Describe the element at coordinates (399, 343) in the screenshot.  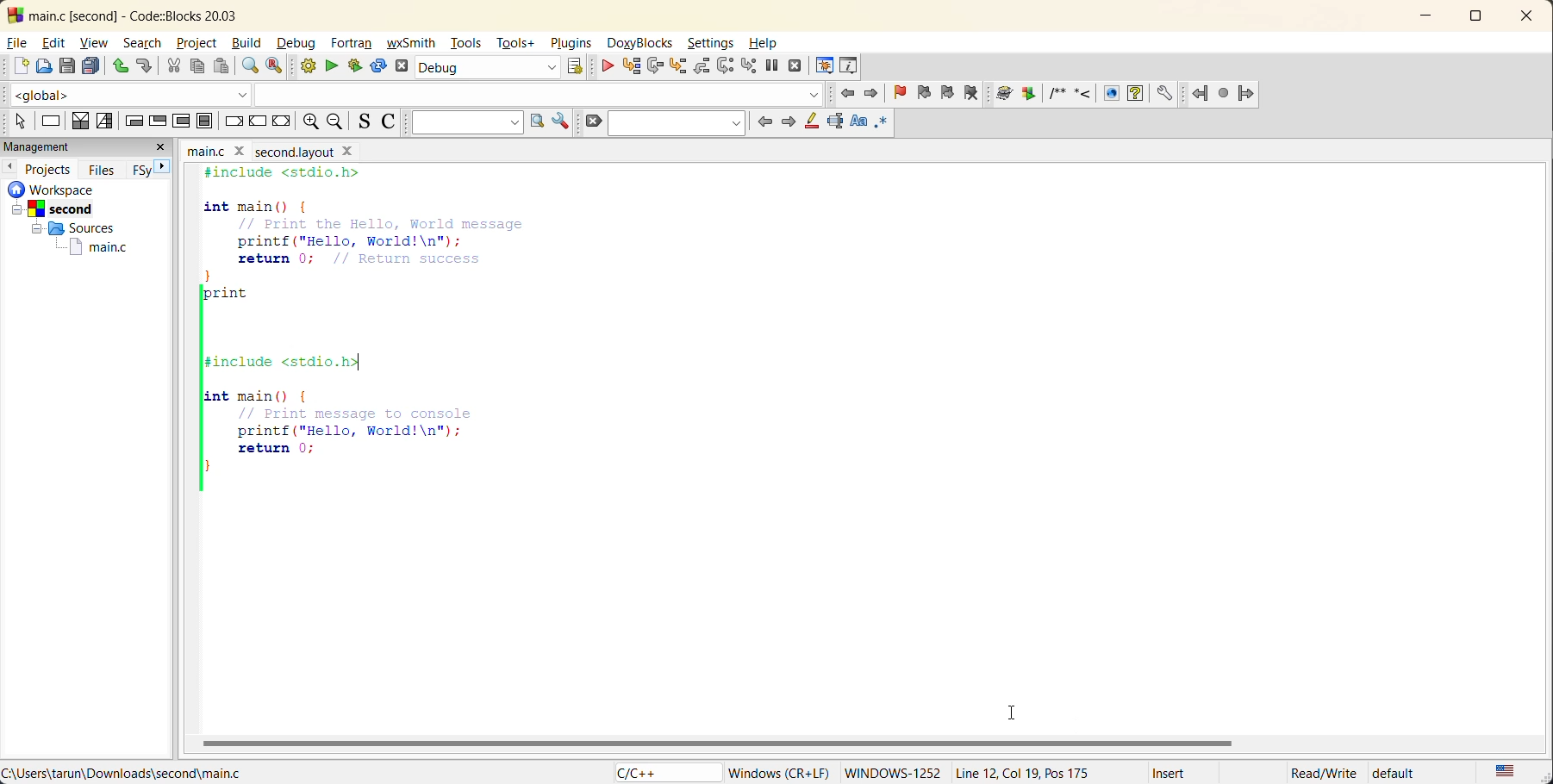
I see `code without folding` at that location.